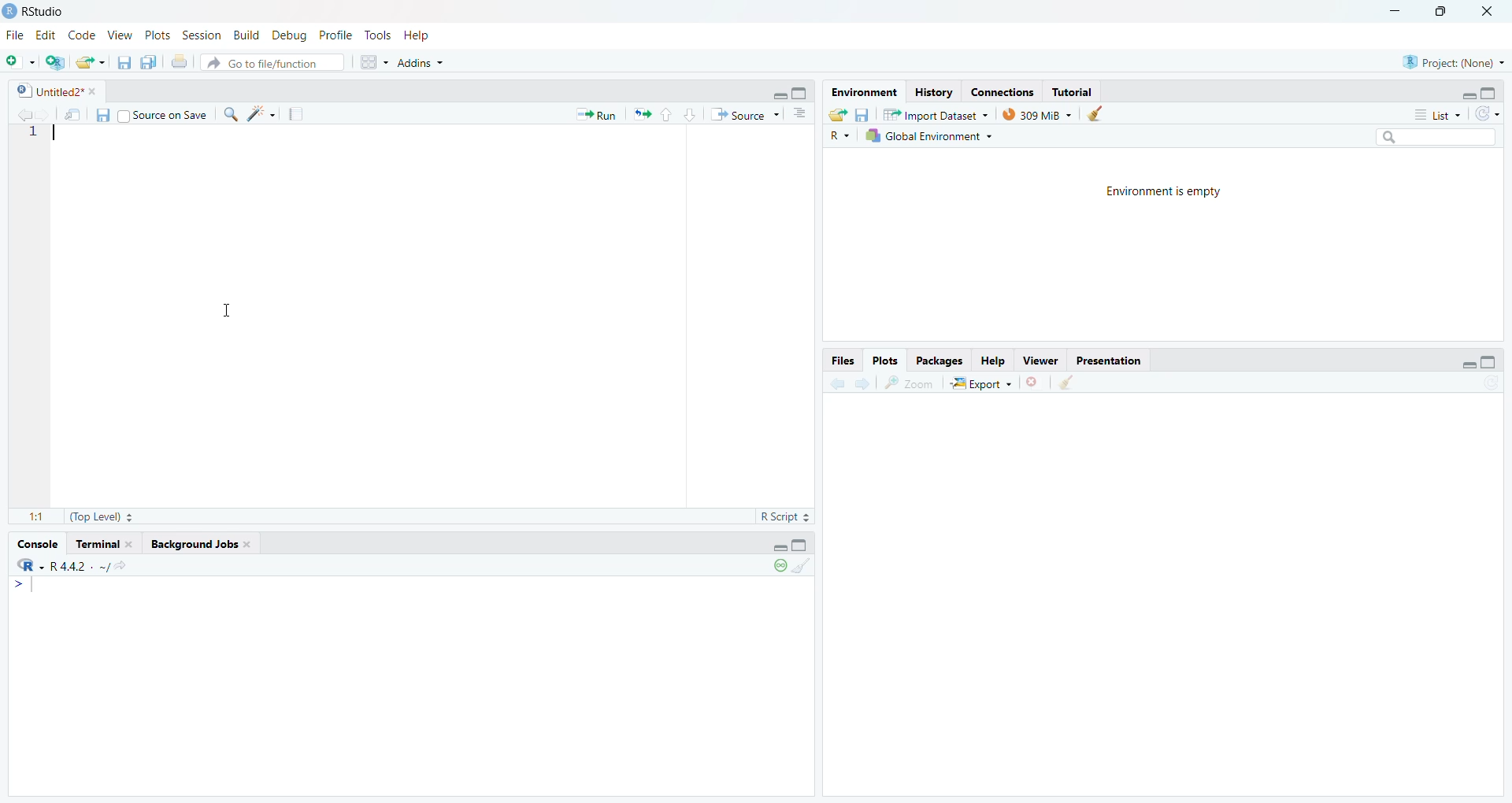 This screenshot has height=803, width=1512. Describe the element at coordinates (863, 114) in the screenshot. I see `save` at that location.